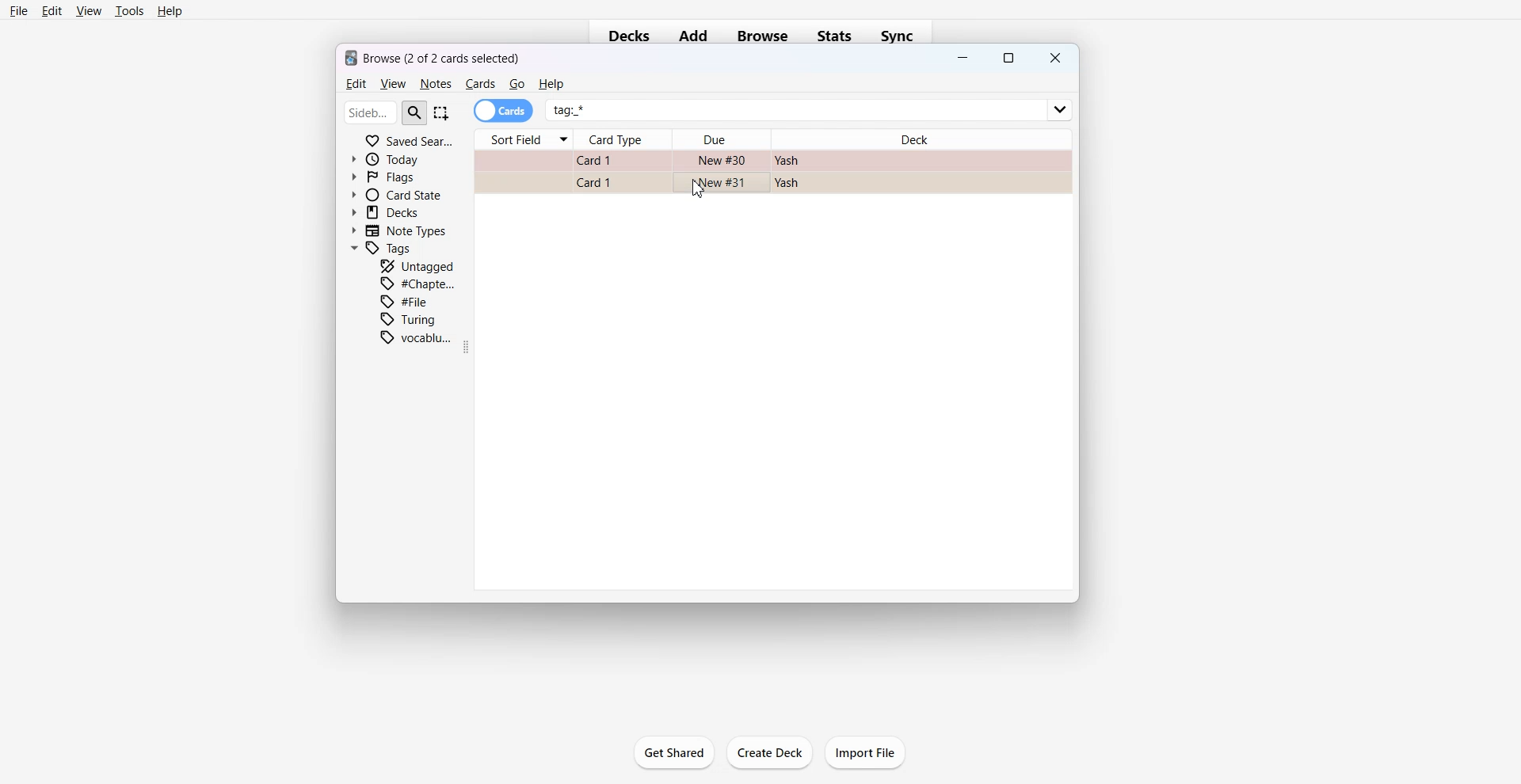  I want to click on Cursor, so click(700, 193).